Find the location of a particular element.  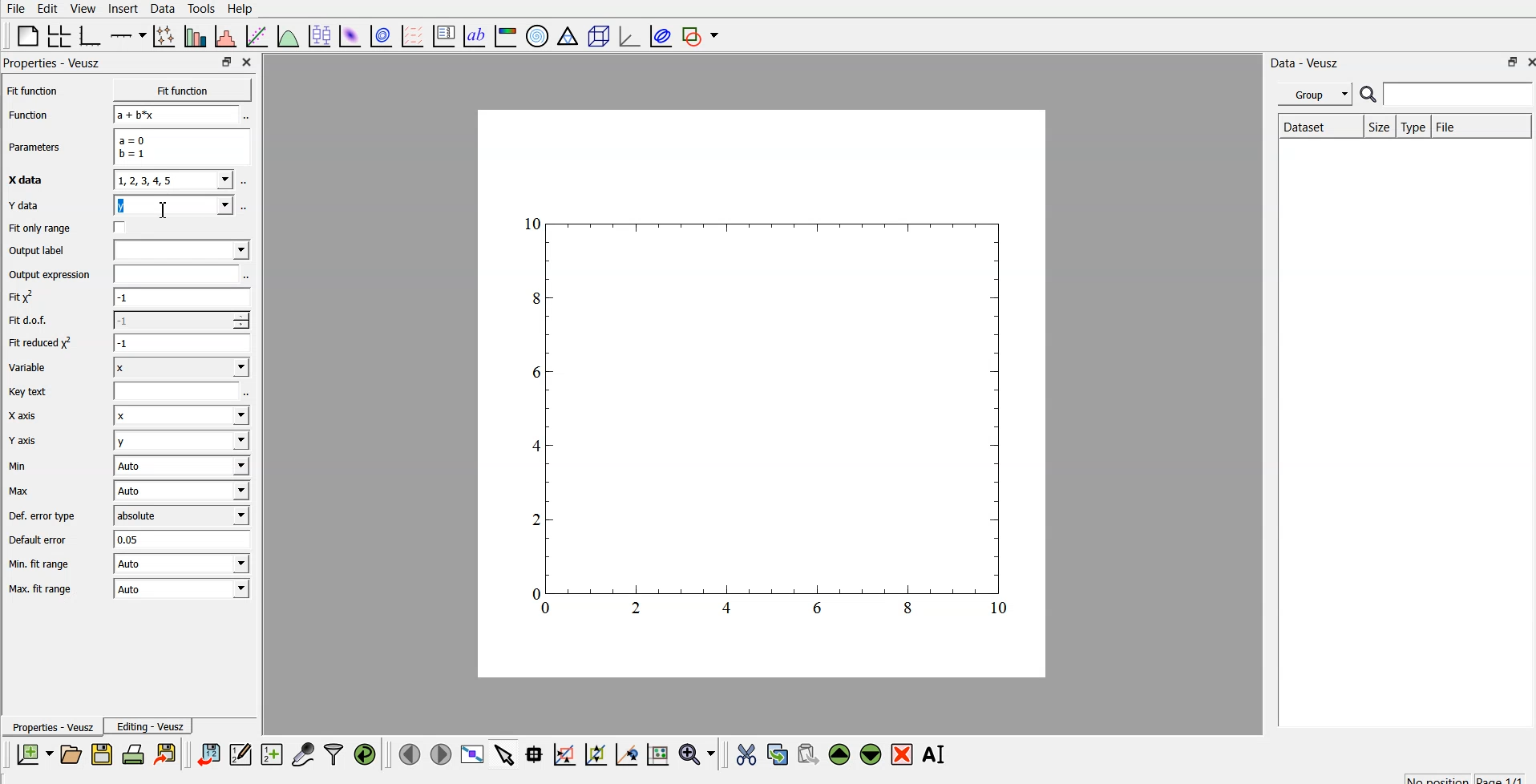

new document is located at coordinates (27, 755).